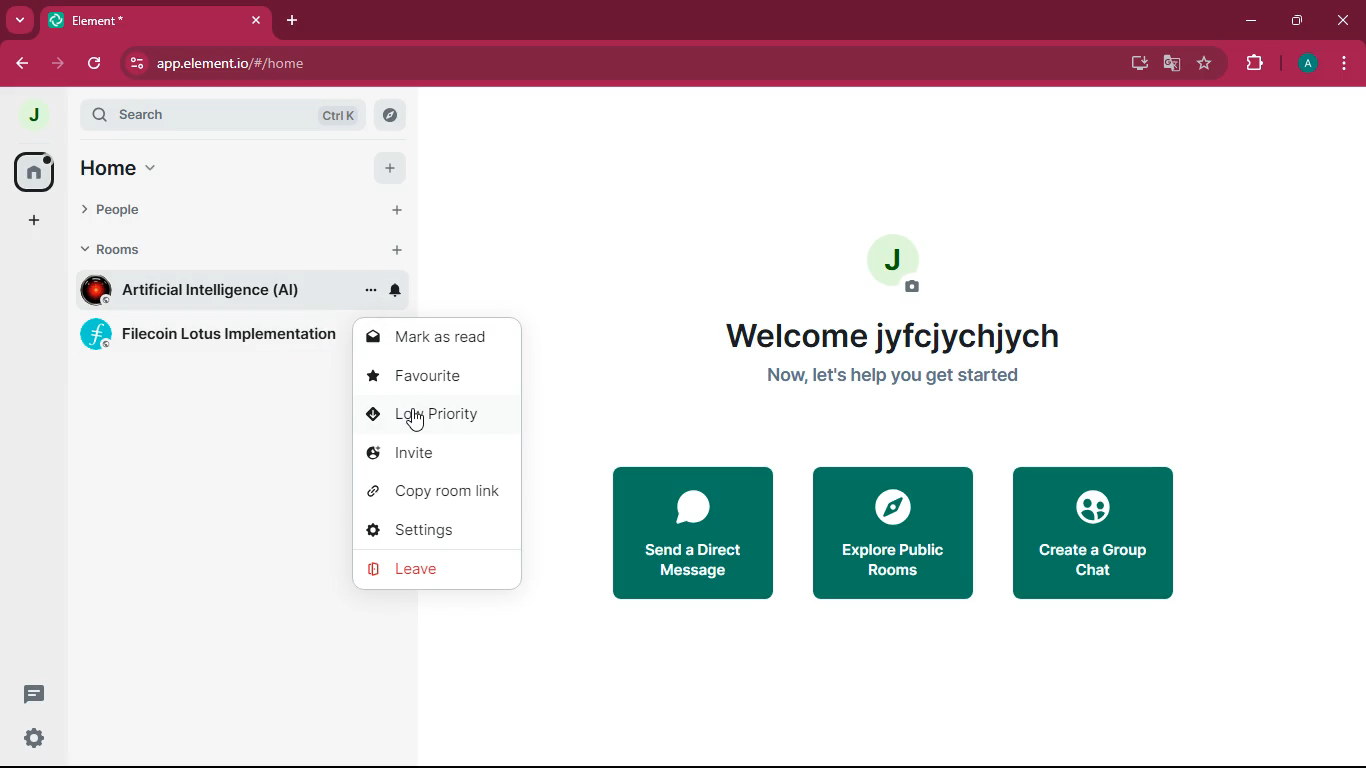  What do you see at coordinates (1204, 66) in the screenshot?
I see `favorite` at bounding box center [1204, 66].